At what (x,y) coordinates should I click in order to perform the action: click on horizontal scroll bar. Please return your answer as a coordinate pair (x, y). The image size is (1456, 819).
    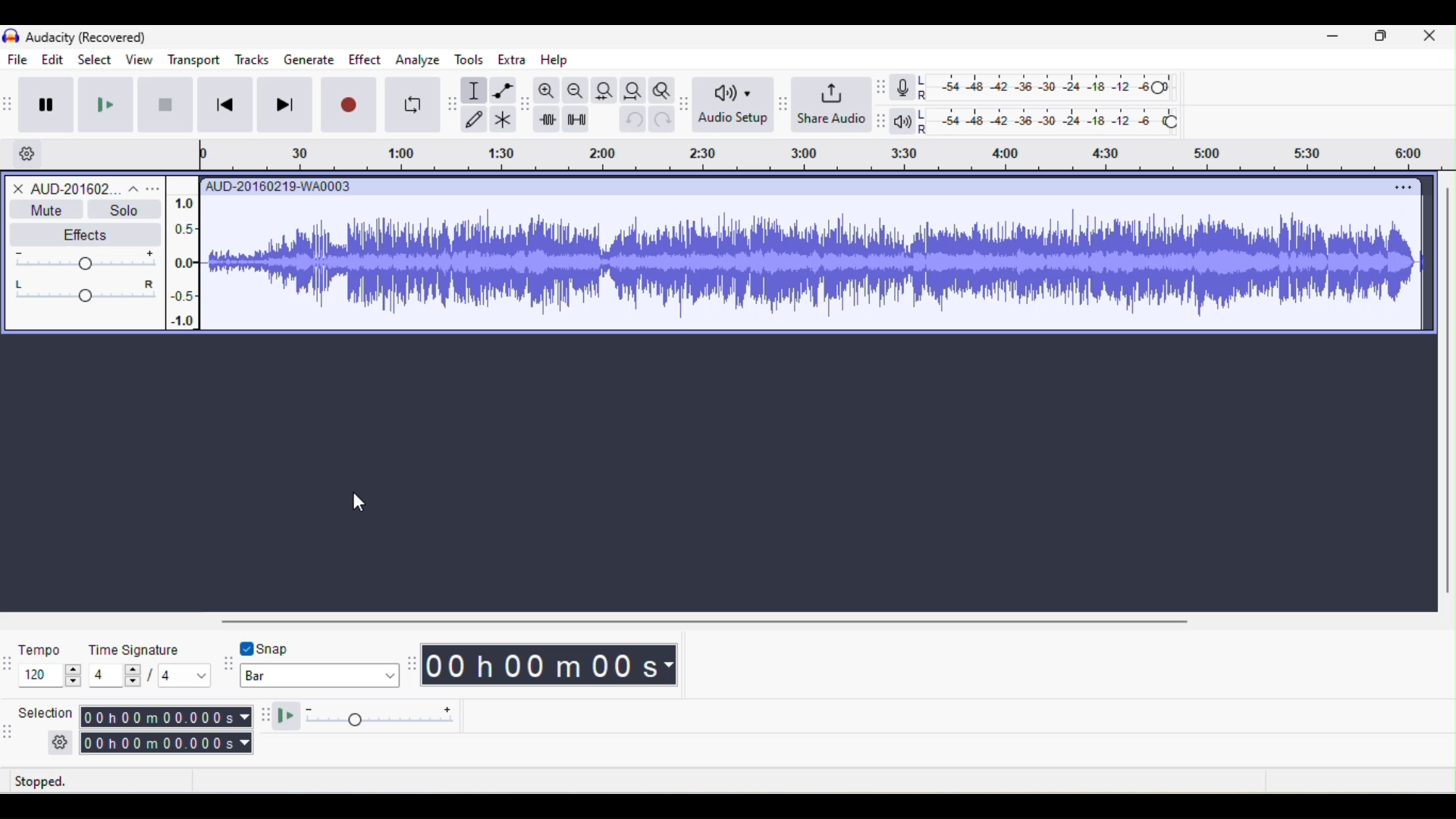
    Looking at the image, I should click on (715, 620).